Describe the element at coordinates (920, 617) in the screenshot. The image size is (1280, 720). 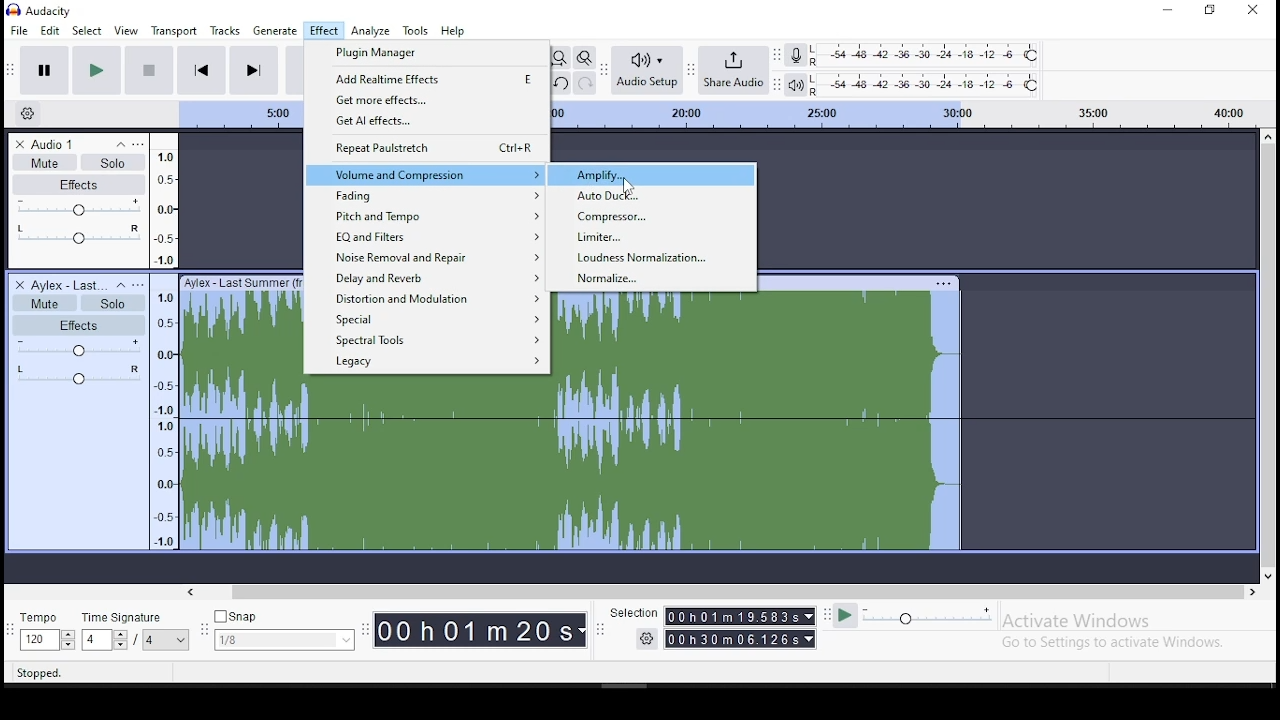
I see `playback speed` at that location.